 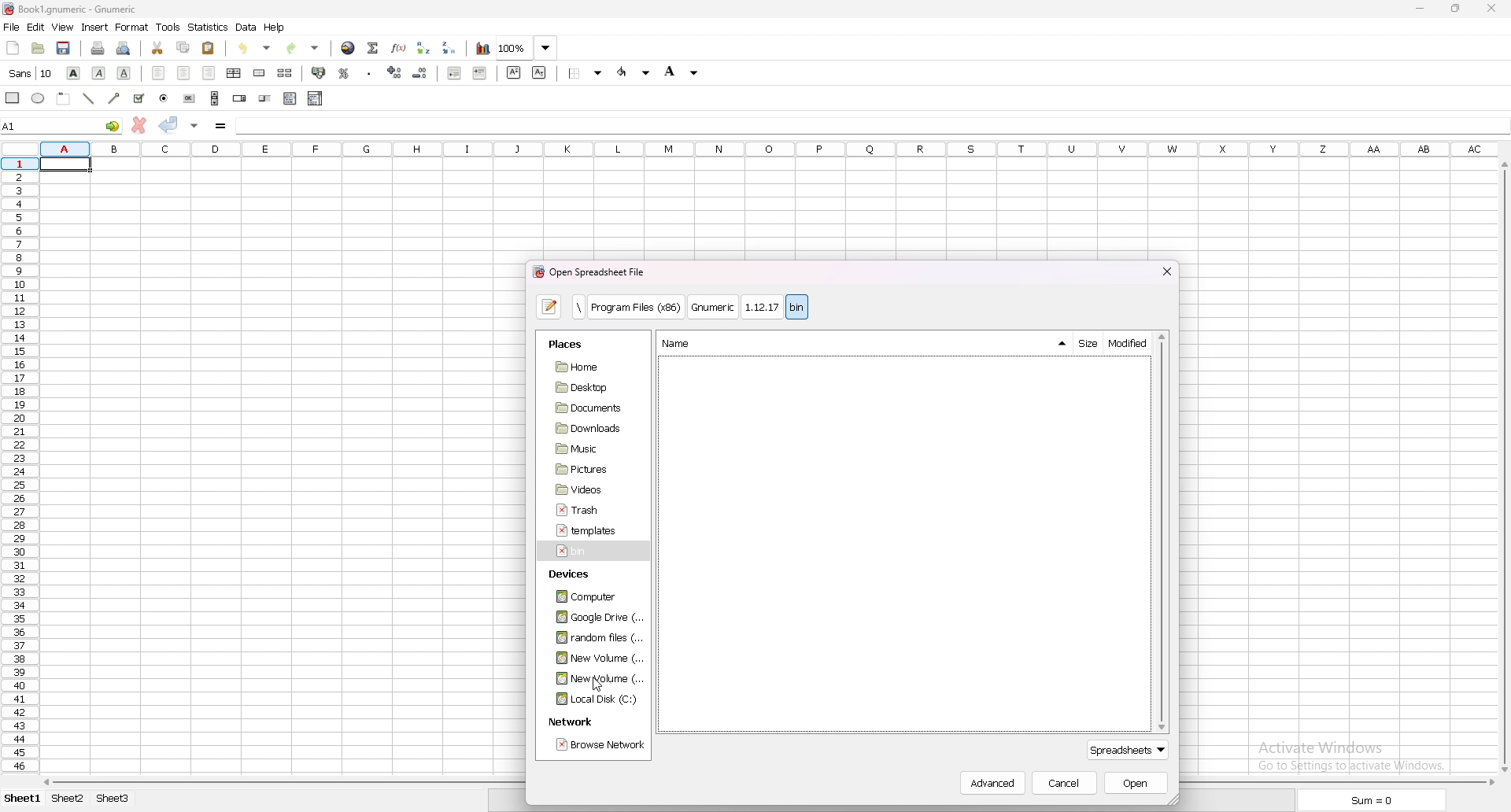 I want to click on cancel, so click(x=1066, y=783).